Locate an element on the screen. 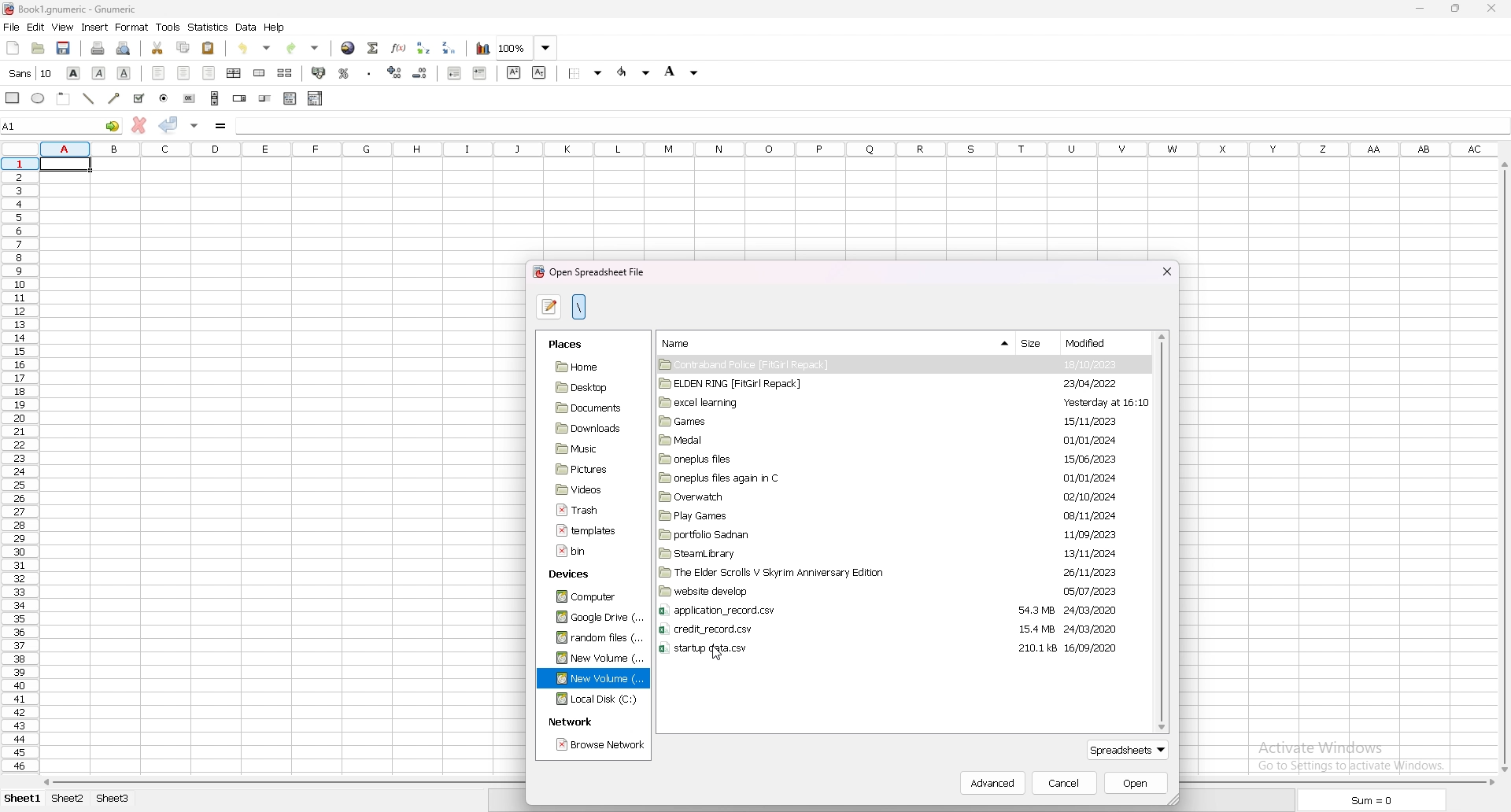  paste is located at coordinates (209, 49).